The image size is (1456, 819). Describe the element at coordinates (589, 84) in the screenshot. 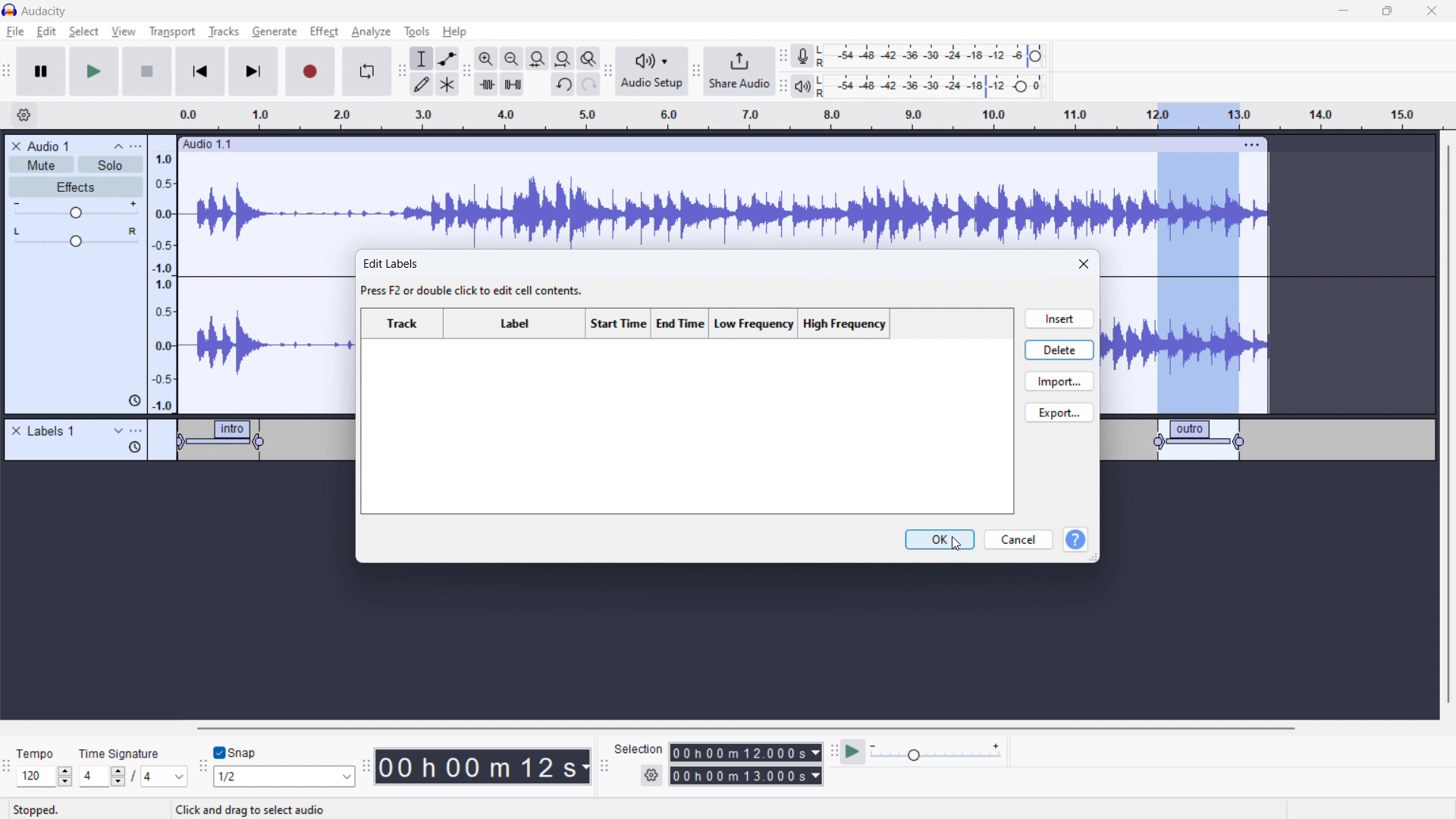

I see `undo` at that location.